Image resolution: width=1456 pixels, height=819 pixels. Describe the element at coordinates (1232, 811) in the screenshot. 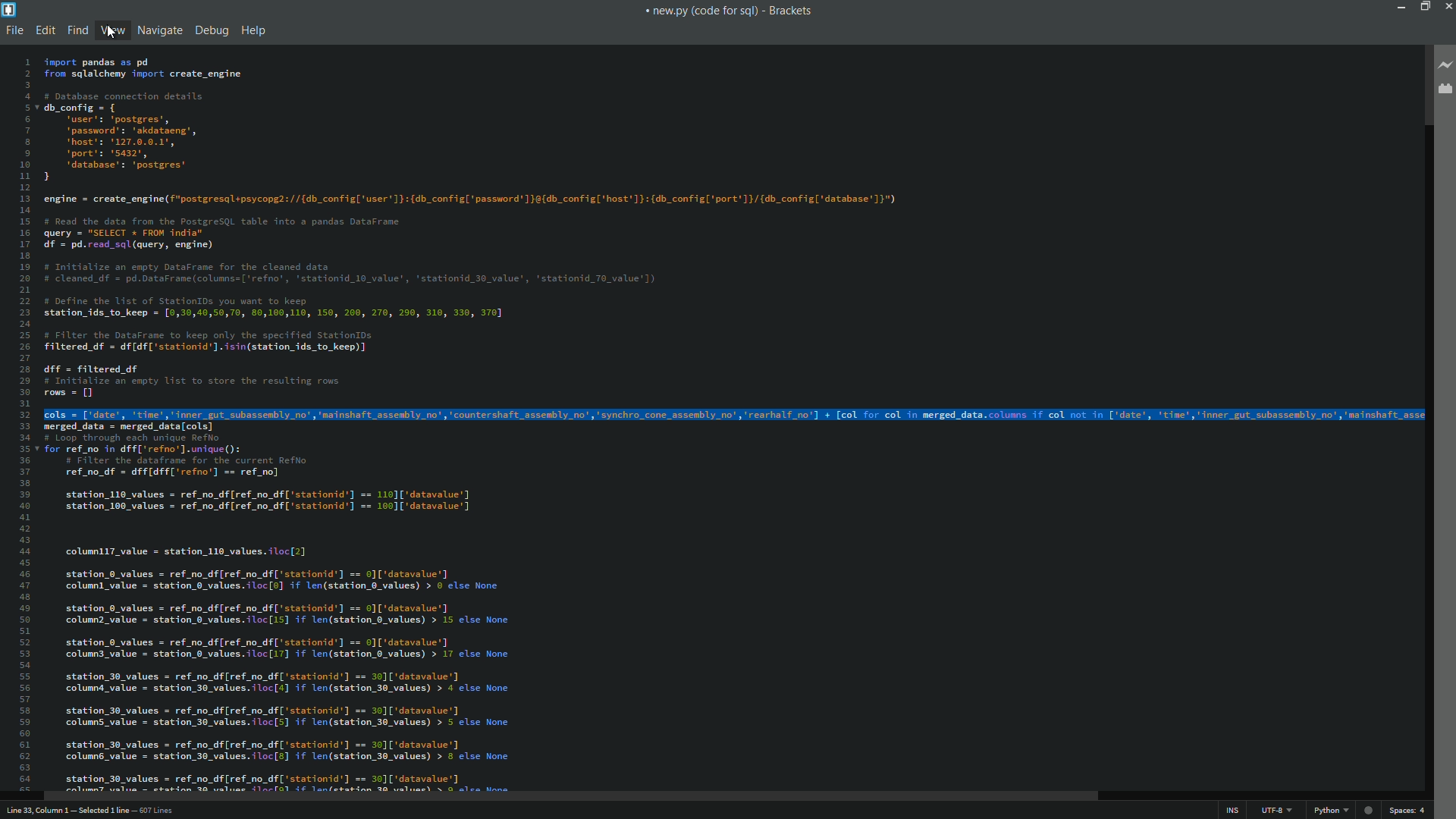

I see `ins` at that location.